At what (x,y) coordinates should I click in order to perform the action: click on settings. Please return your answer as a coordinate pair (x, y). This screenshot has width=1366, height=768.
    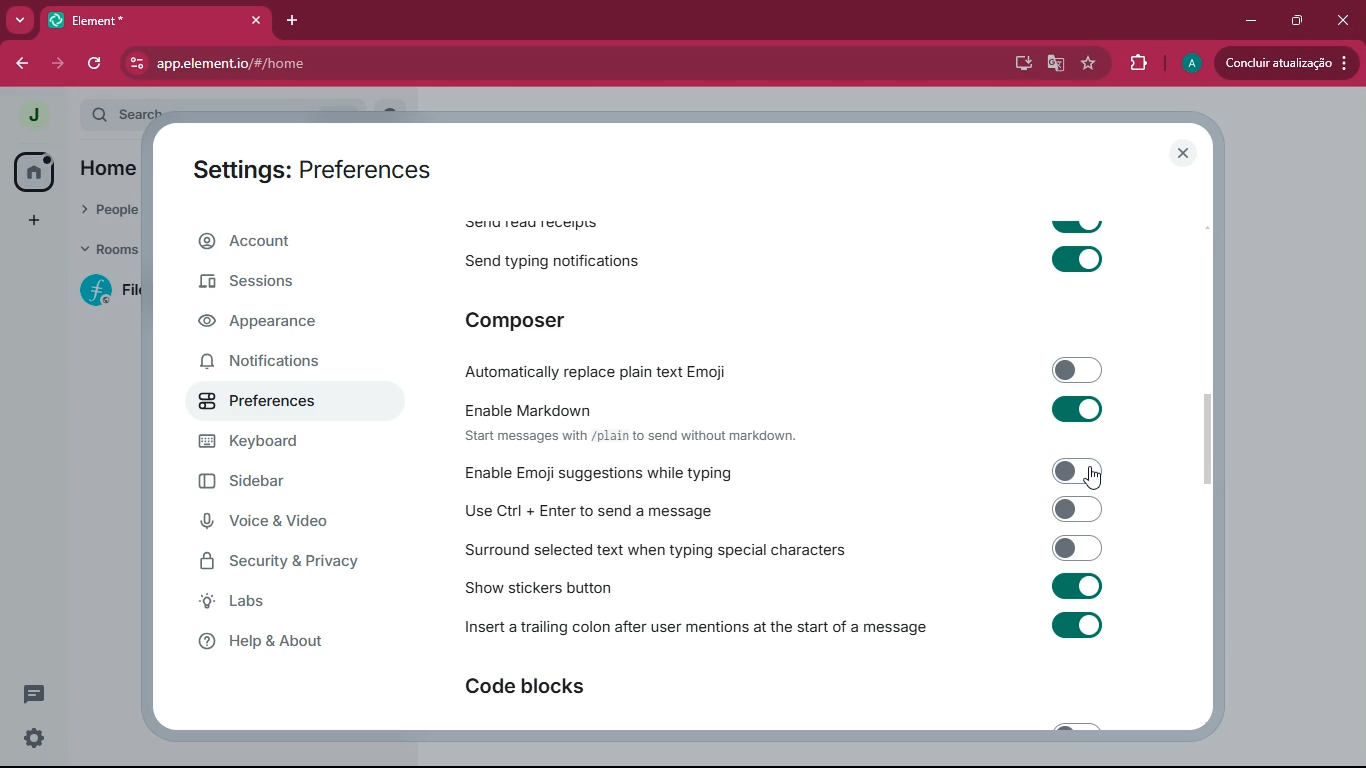
    Looking at the image, I should click on (30, 739).